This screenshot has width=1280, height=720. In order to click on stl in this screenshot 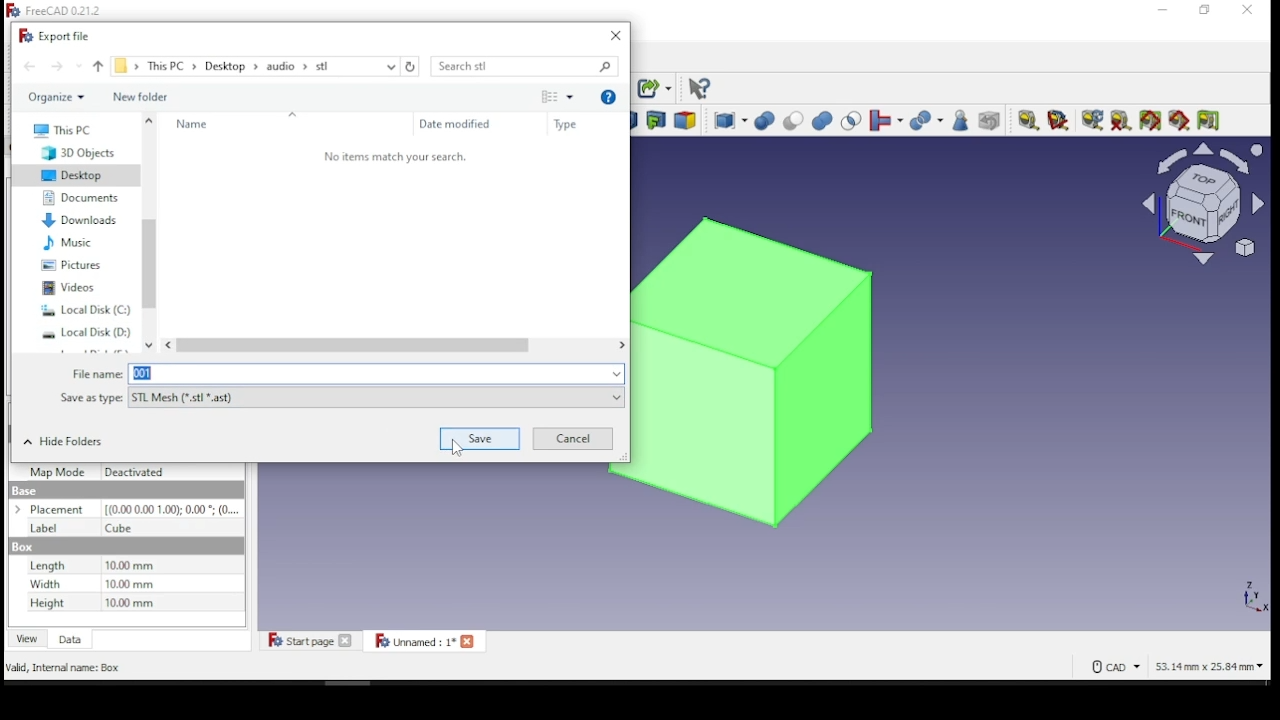, I will do `click(324, 65)`.